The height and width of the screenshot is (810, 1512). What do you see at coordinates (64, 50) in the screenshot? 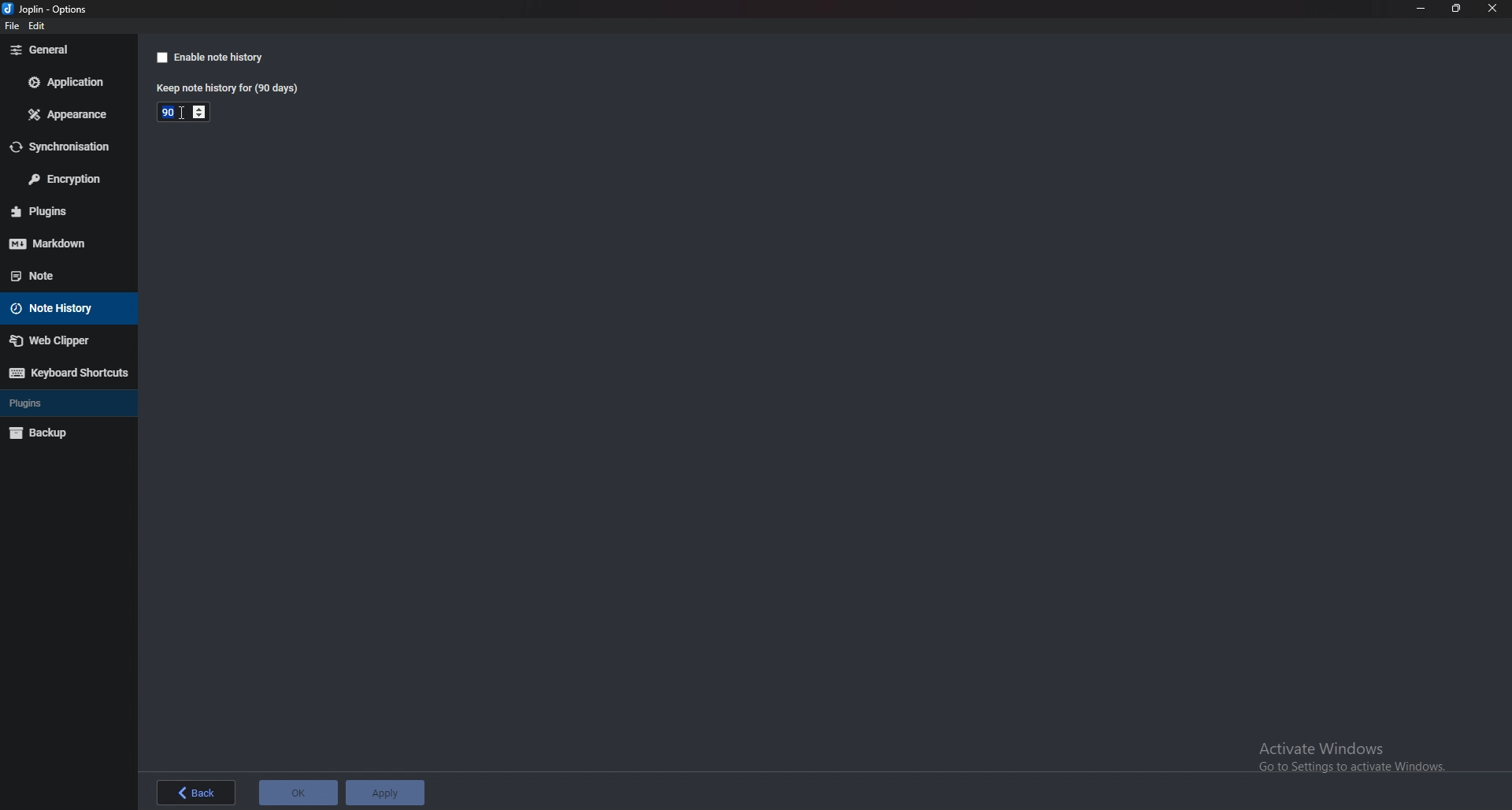
I see `General` at bounding box center [64, 50].